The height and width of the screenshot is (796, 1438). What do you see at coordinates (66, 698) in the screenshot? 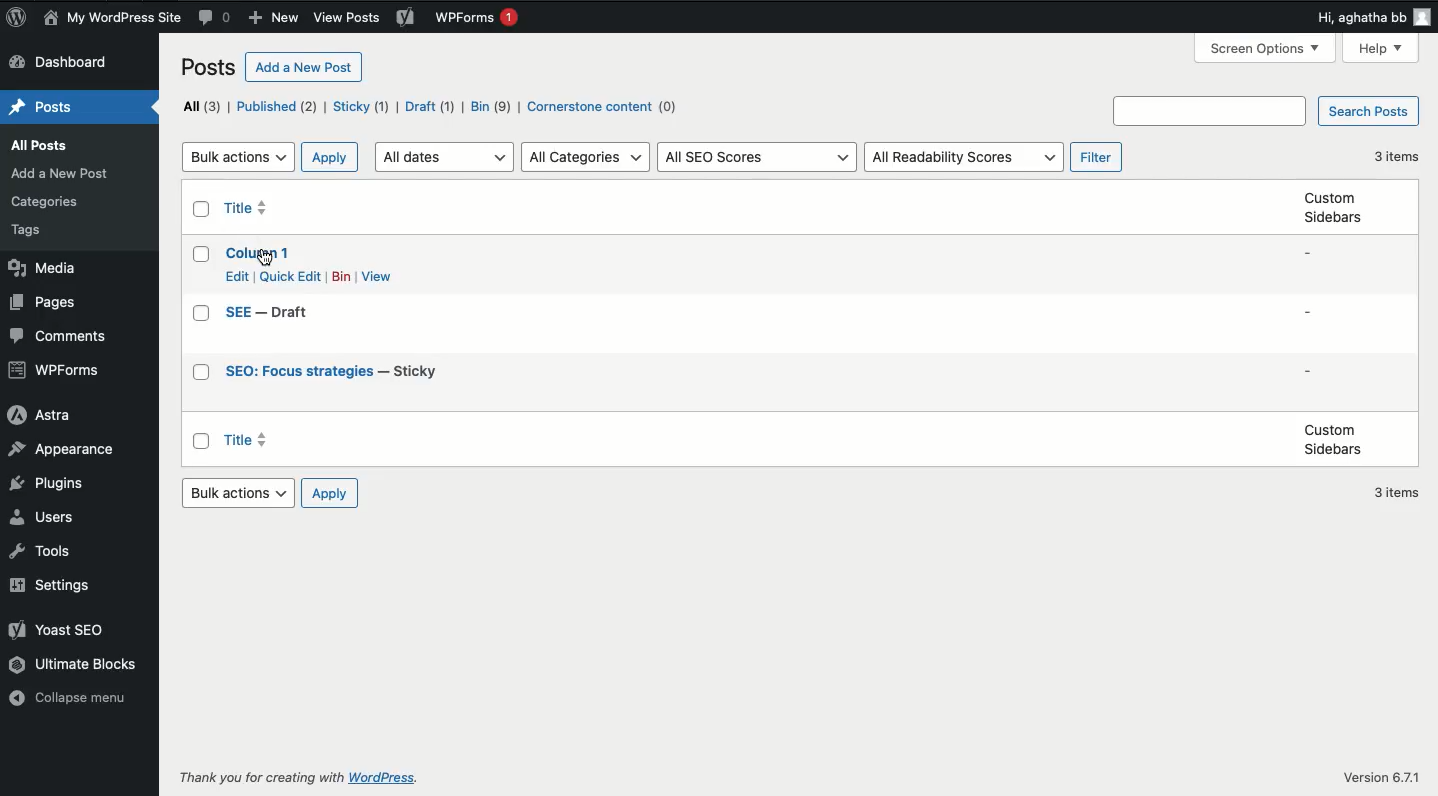
I see `Collapse menu` at bounding box center [66, 698].